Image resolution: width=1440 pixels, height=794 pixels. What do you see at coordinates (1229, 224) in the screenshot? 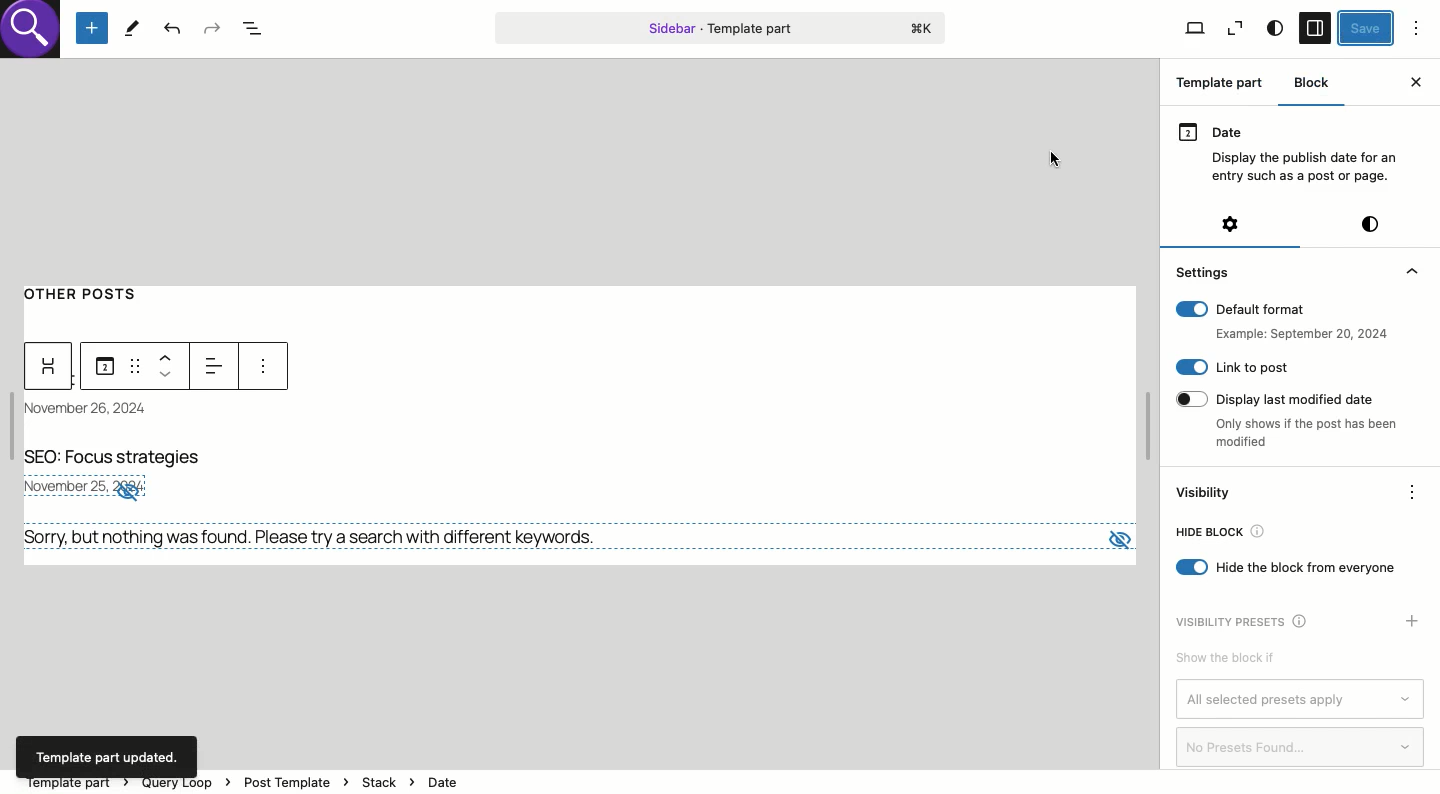
I see `Settings` at bounding box center [1229, 224].